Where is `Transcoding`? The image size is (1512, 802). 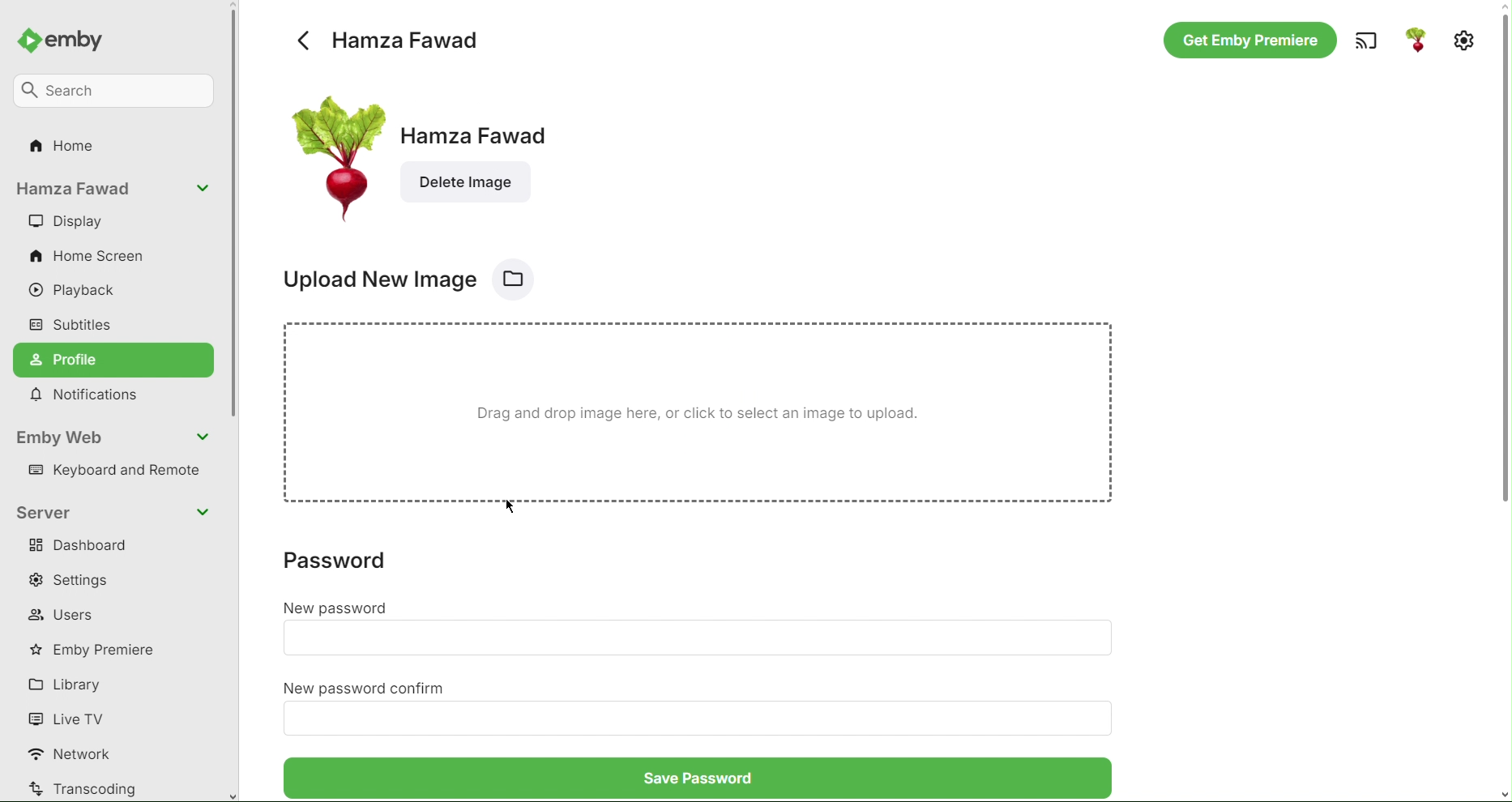
Transcoding is located at coordinates (83, 788).